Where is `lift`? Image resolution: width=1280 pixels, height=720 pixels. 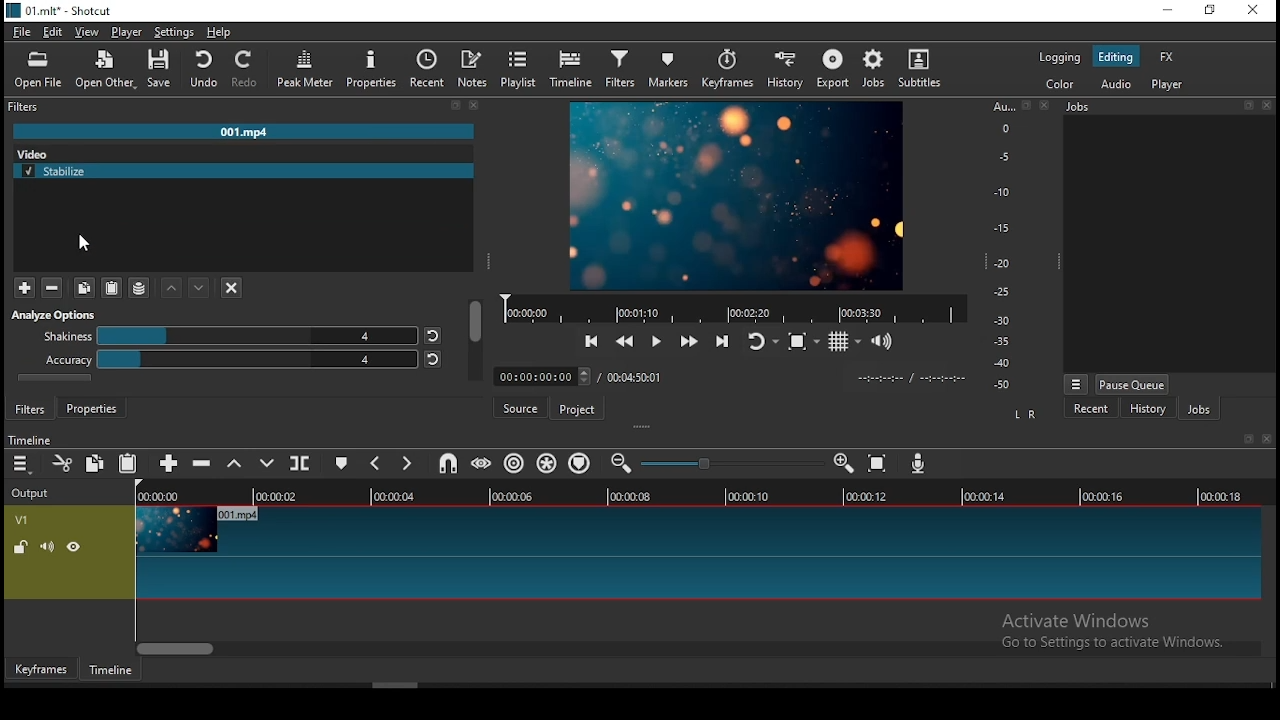
lift is located at coordinates (231, 464).